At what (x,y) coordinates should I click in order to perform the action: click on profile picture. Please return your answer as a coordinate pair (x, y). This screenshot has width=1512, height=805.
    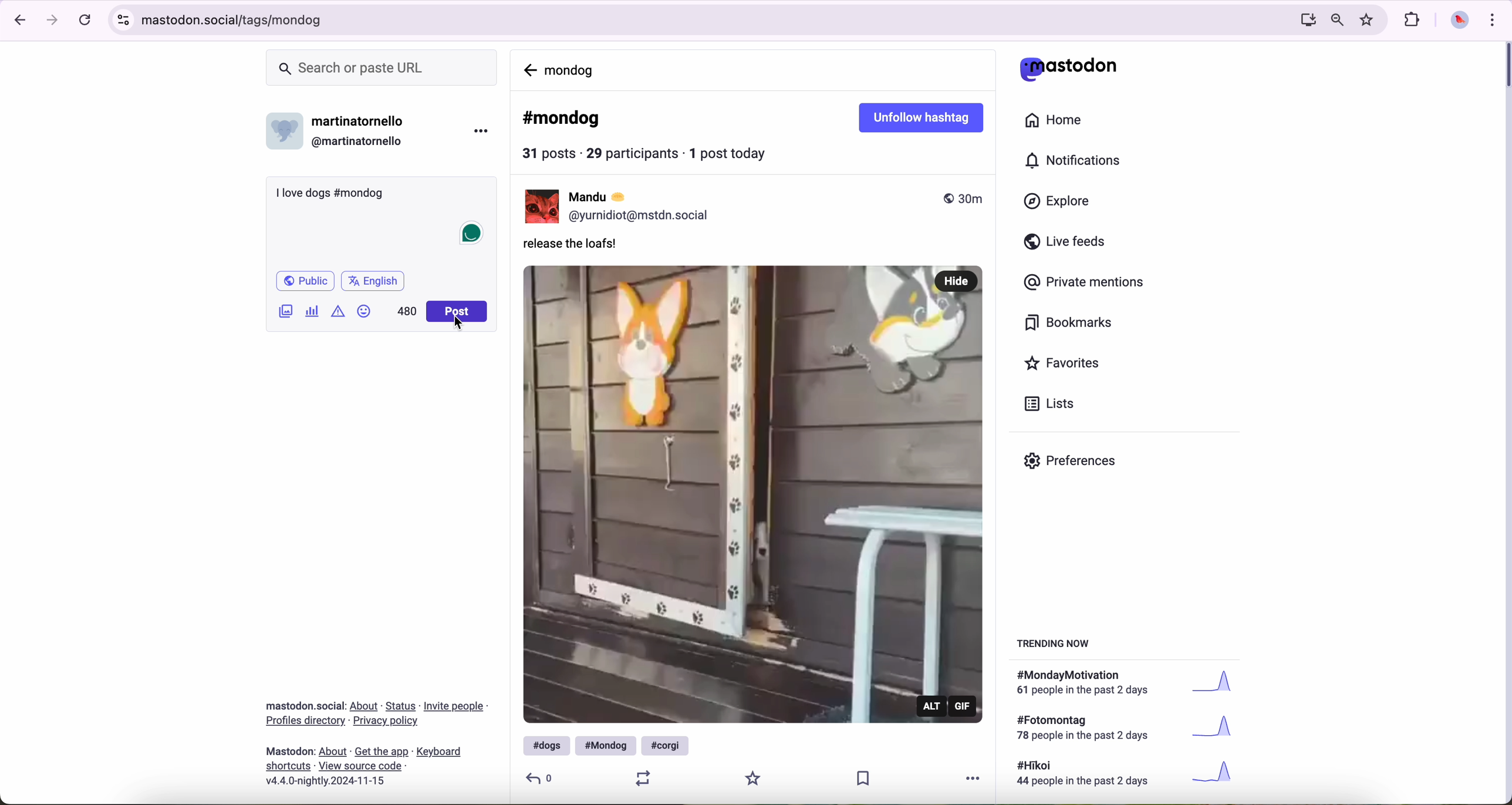
    Looking at the image, I should click on (1460, 22).